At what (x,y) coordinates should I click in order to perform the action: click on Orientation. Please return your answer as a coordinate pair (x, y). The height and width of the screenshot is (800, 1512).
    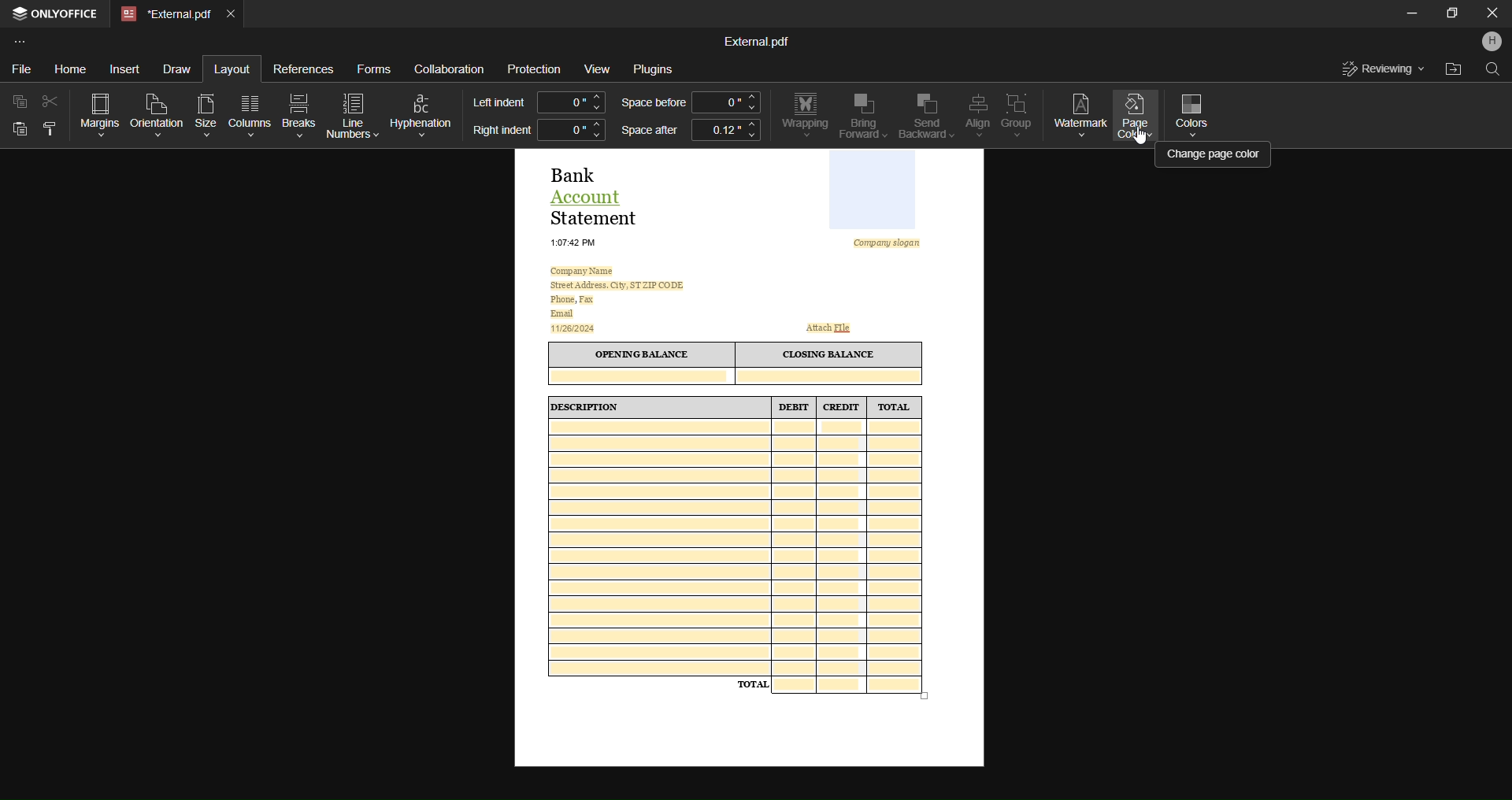
    Looking at the image, I should click on (156, 113).